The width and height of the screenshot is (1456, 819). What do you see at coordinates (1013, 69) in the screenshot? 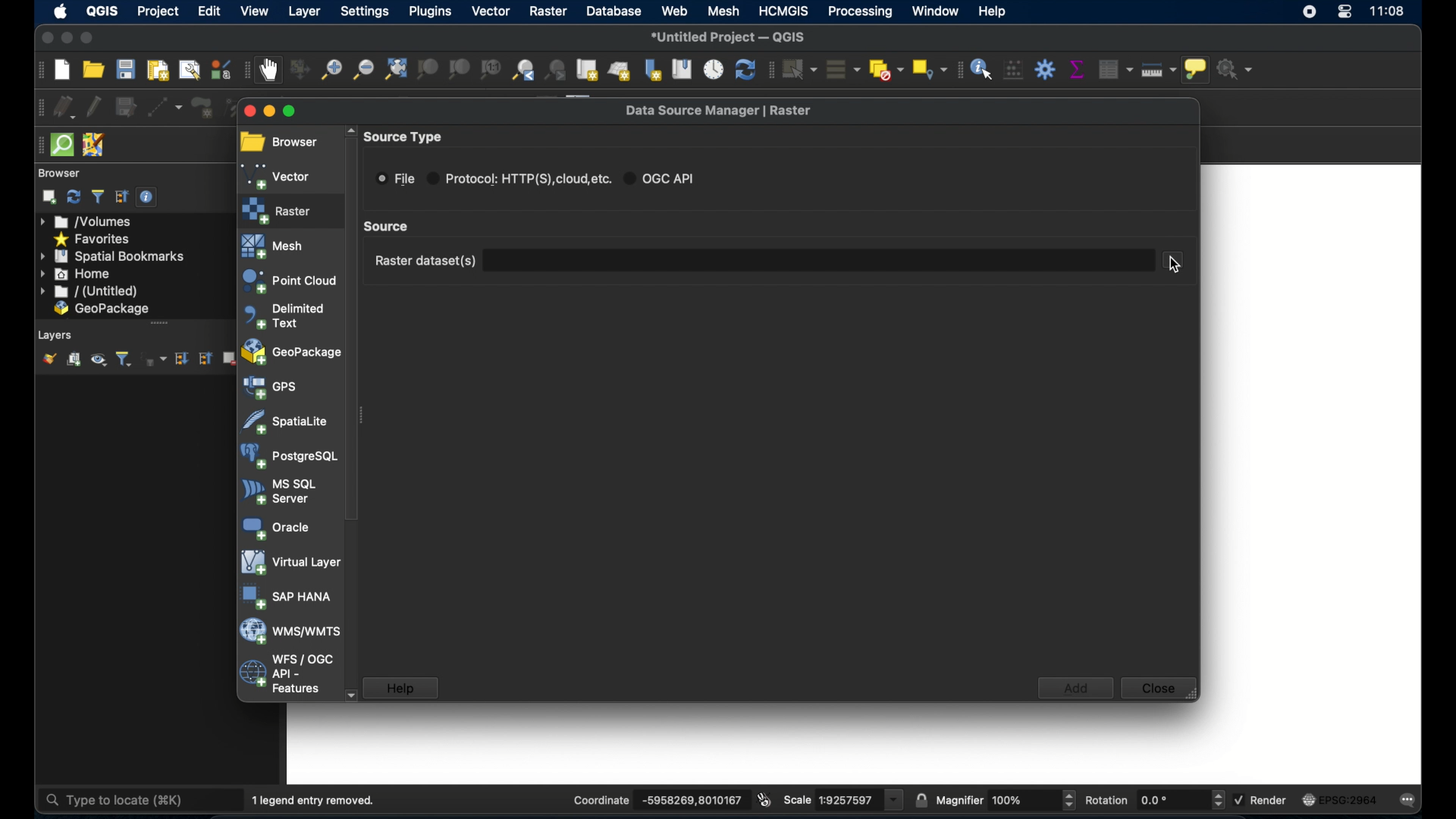
I see `open field calculator` at bounding box center [1013, 69].